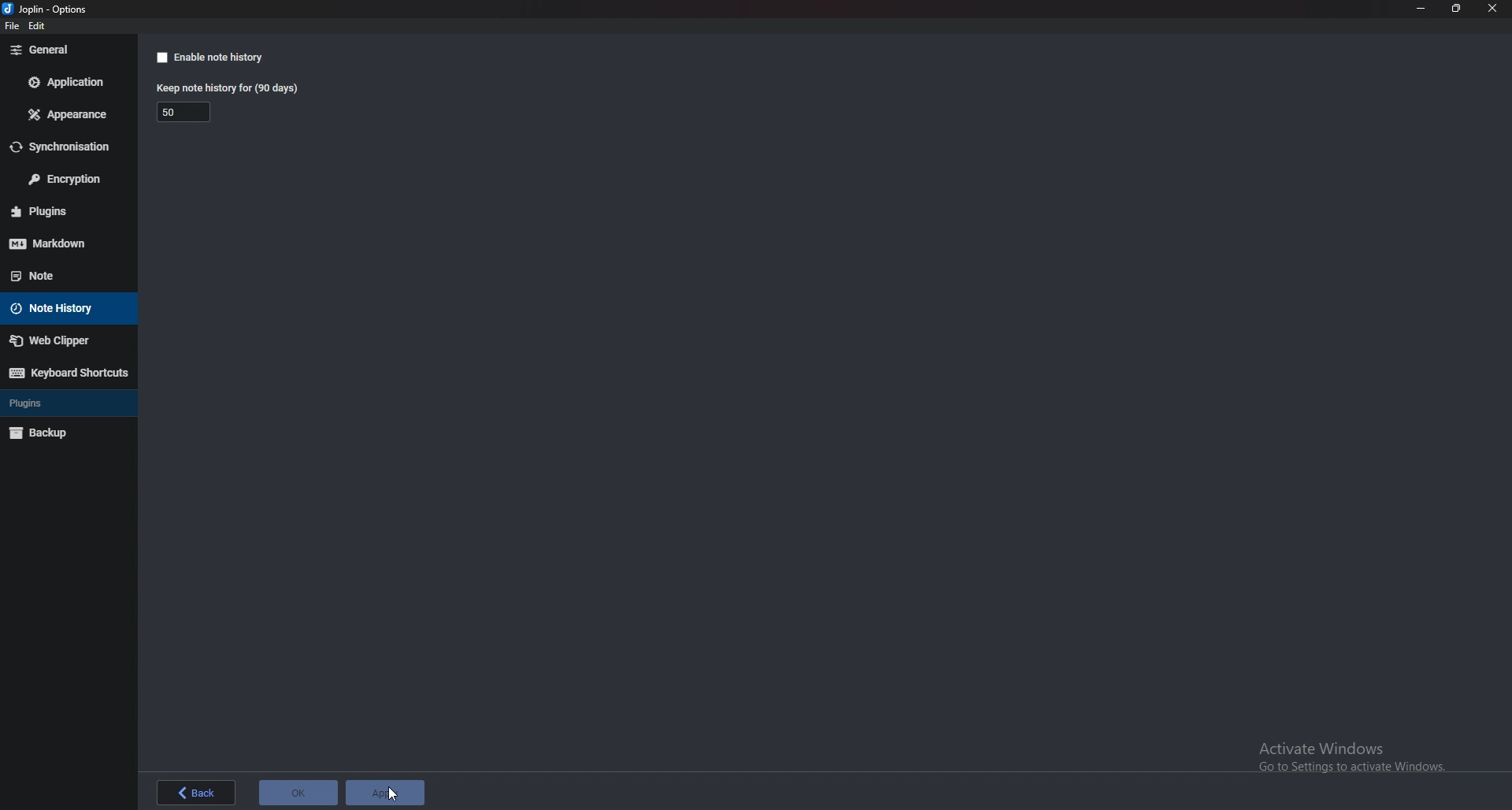 The width and height of the screenshot is (1512, 810). What do you see at coordinates (67, 81) in the screenshot?
I see `Application` at bounding box center [67, 81].